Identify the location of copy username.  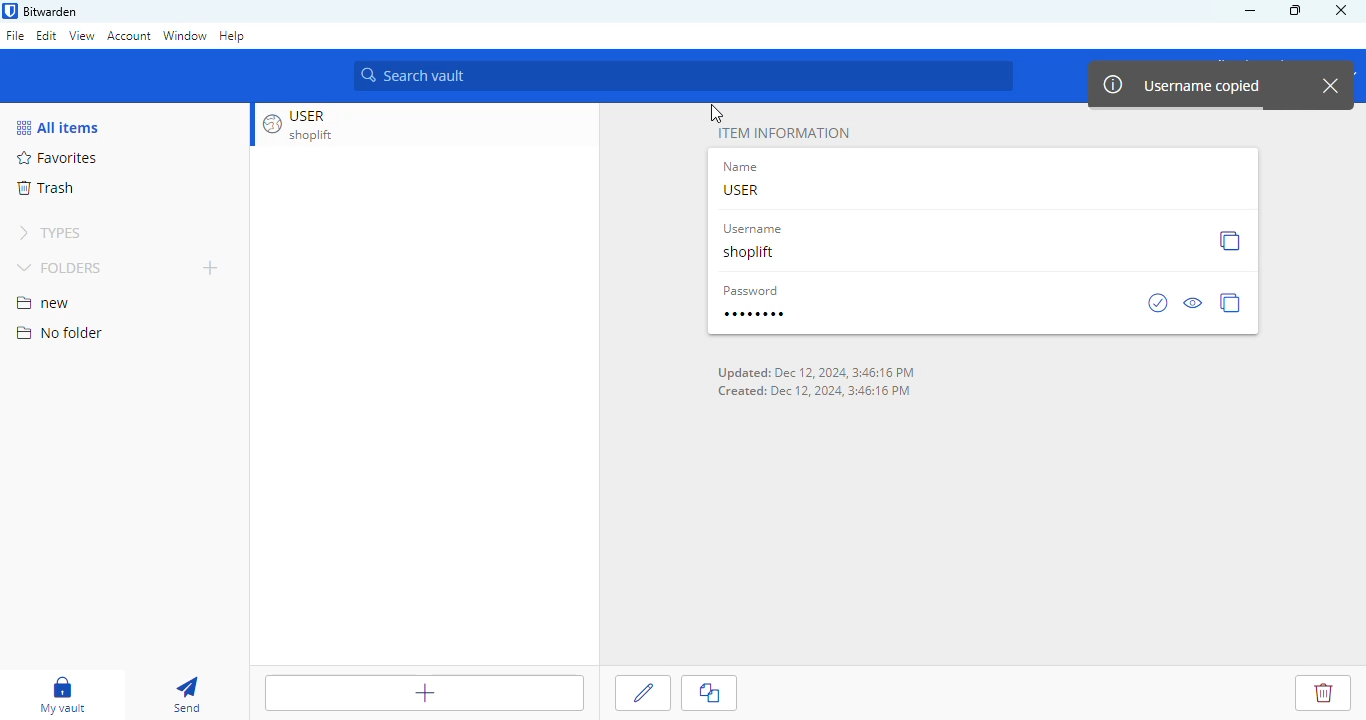
(1229, 240).